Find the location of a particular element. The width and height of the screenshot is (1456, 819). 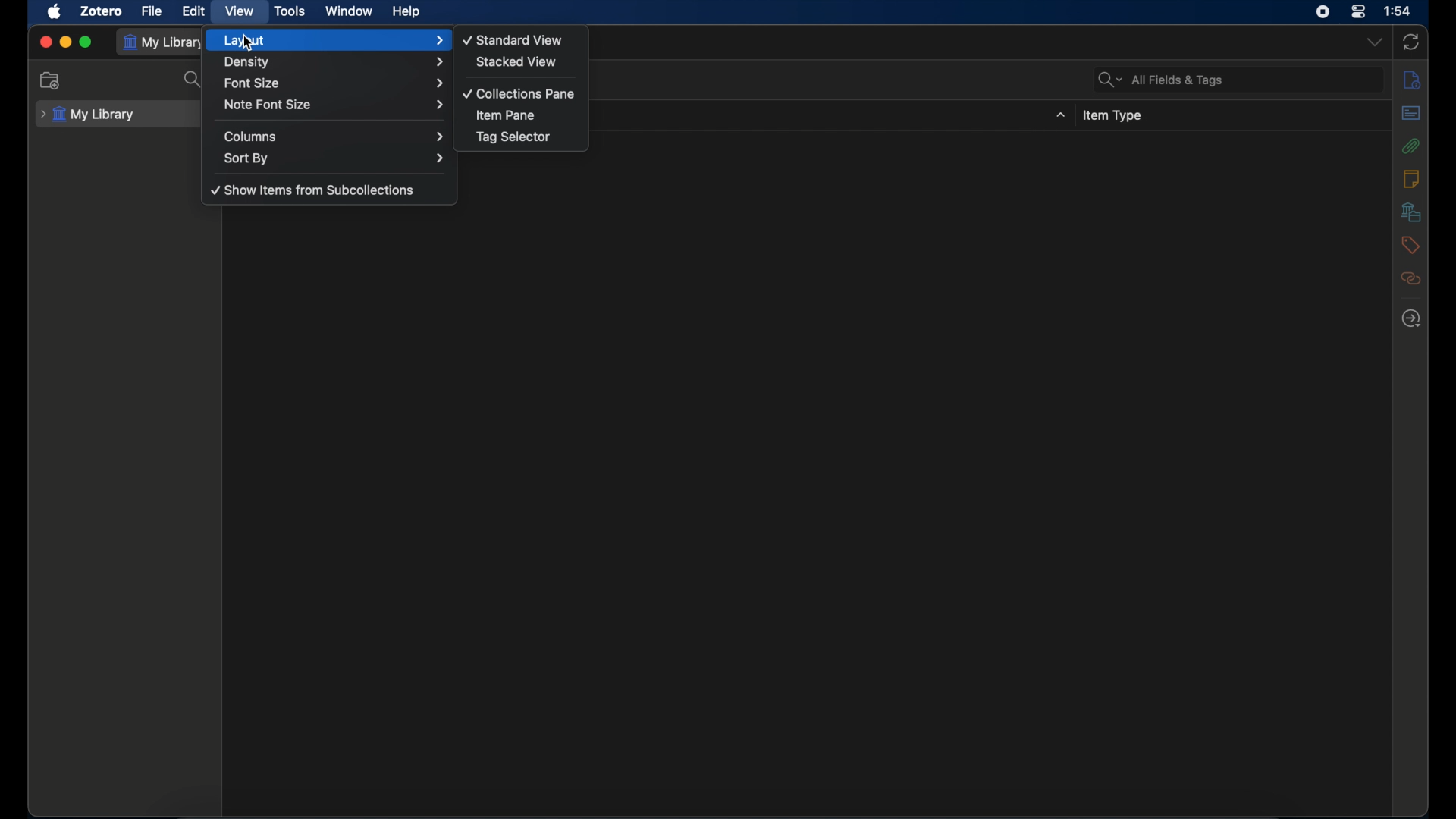

locate is located at coordinates (1412, 318).